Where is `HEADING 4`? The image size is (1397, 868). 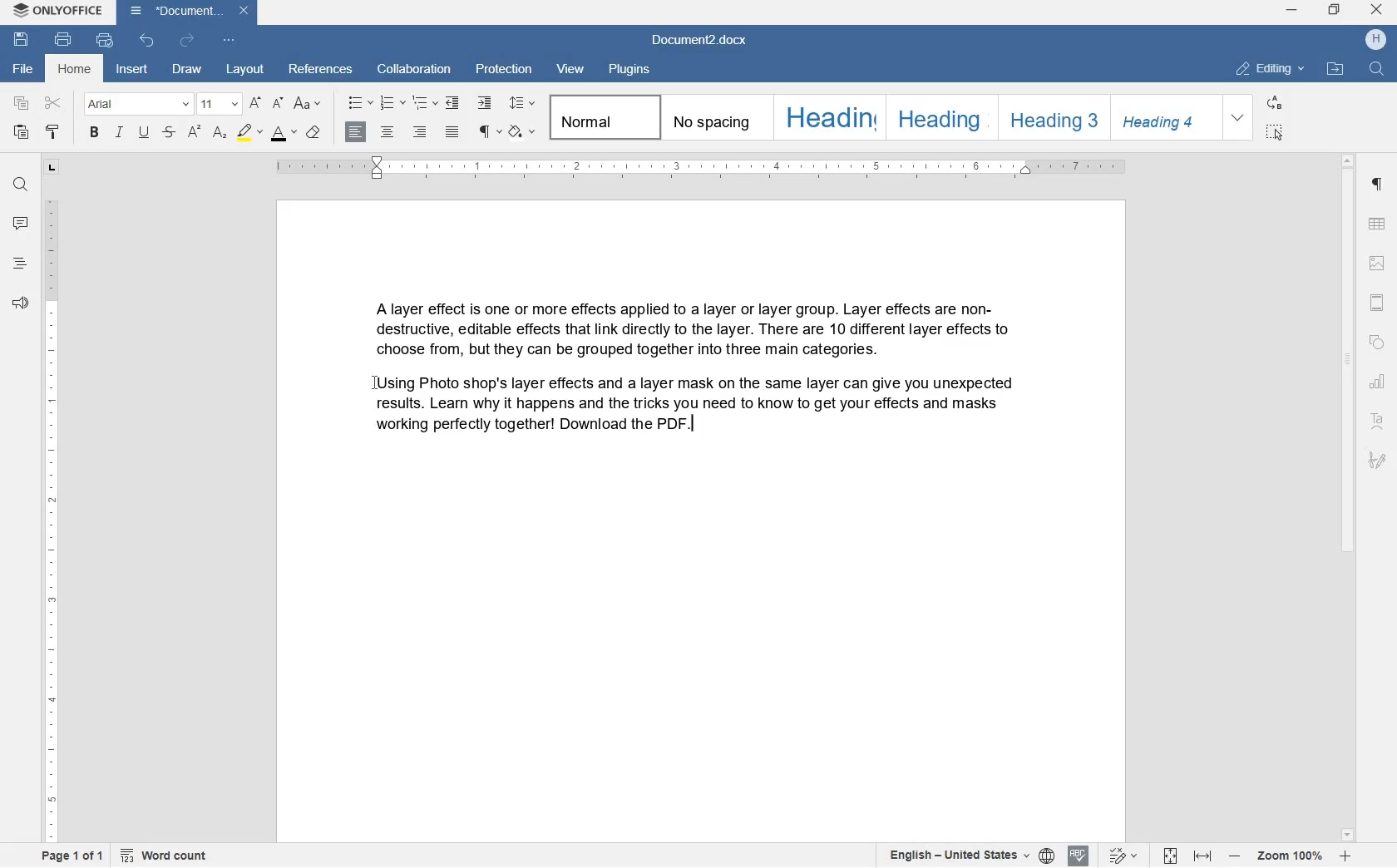 HEADING 4 is located at coordinates (1161, 118).